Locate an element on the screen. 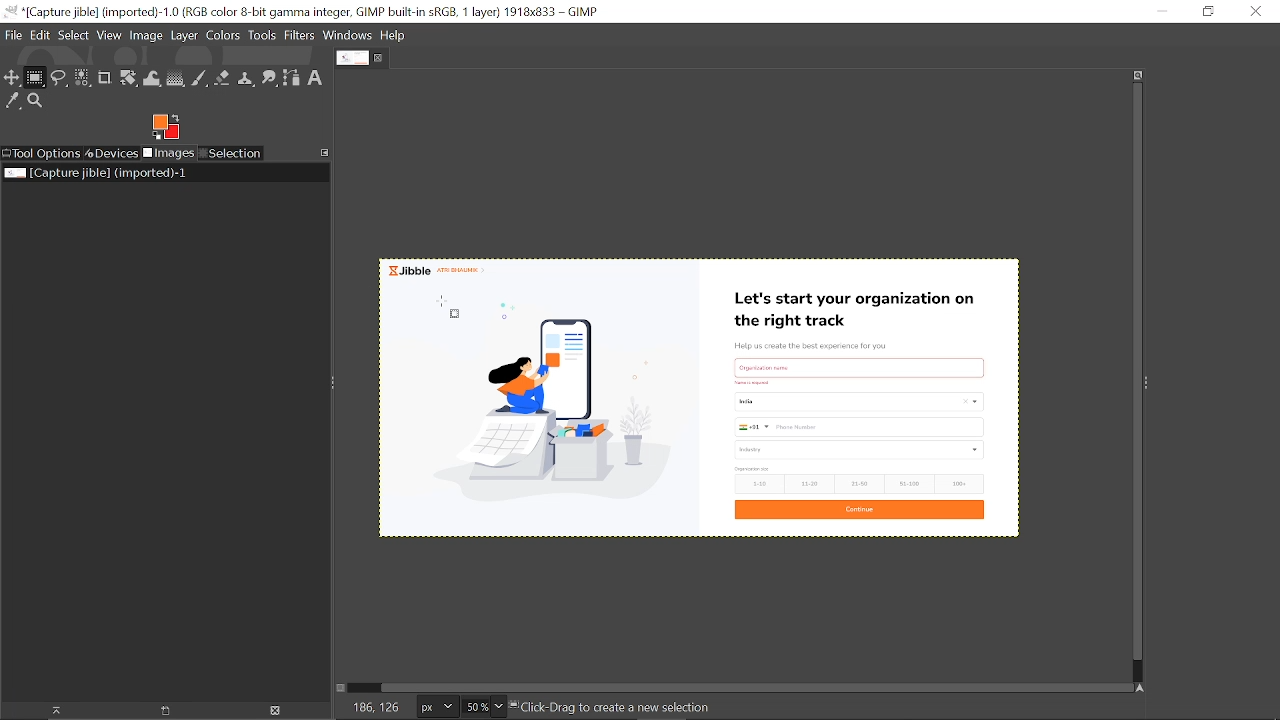 The image size is (1280, 720). Current image is located at coordinates (94, 173).